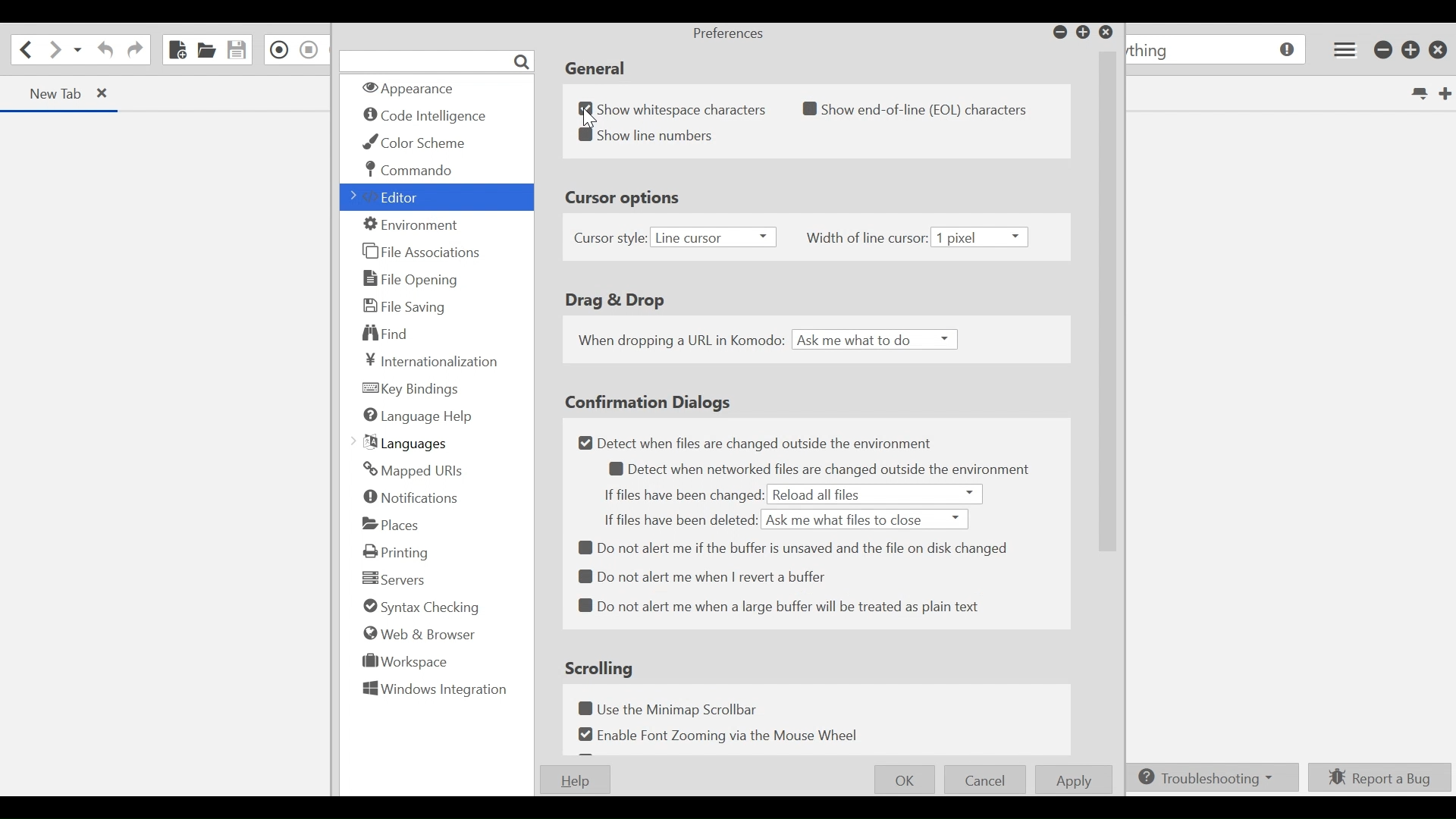 Image resolution: width=1456 pixels, height=819 pixels. I want to click on reload all files, so click(875, 494).